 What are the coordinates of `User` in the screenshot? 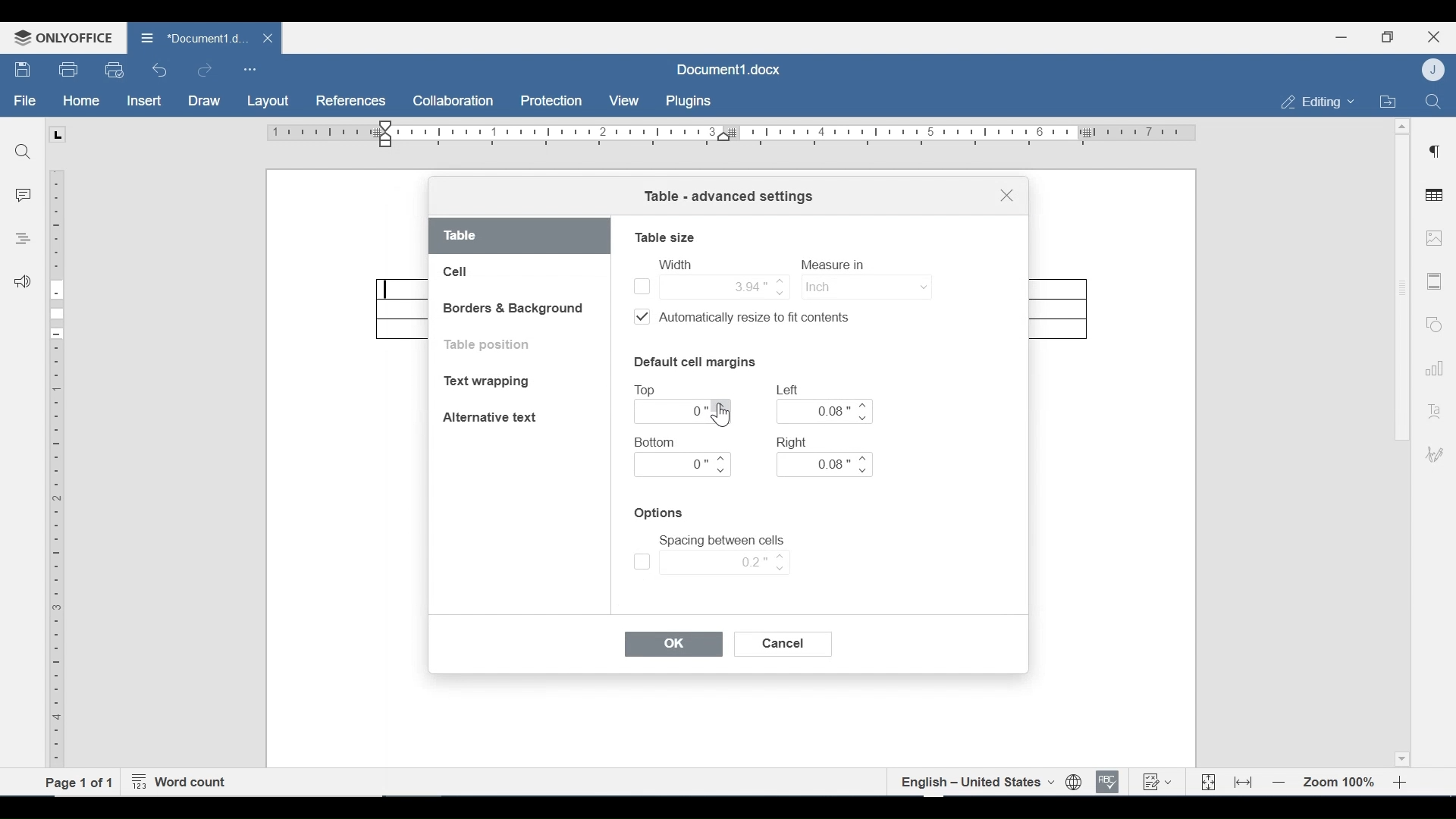 It's located at (1435, 69).